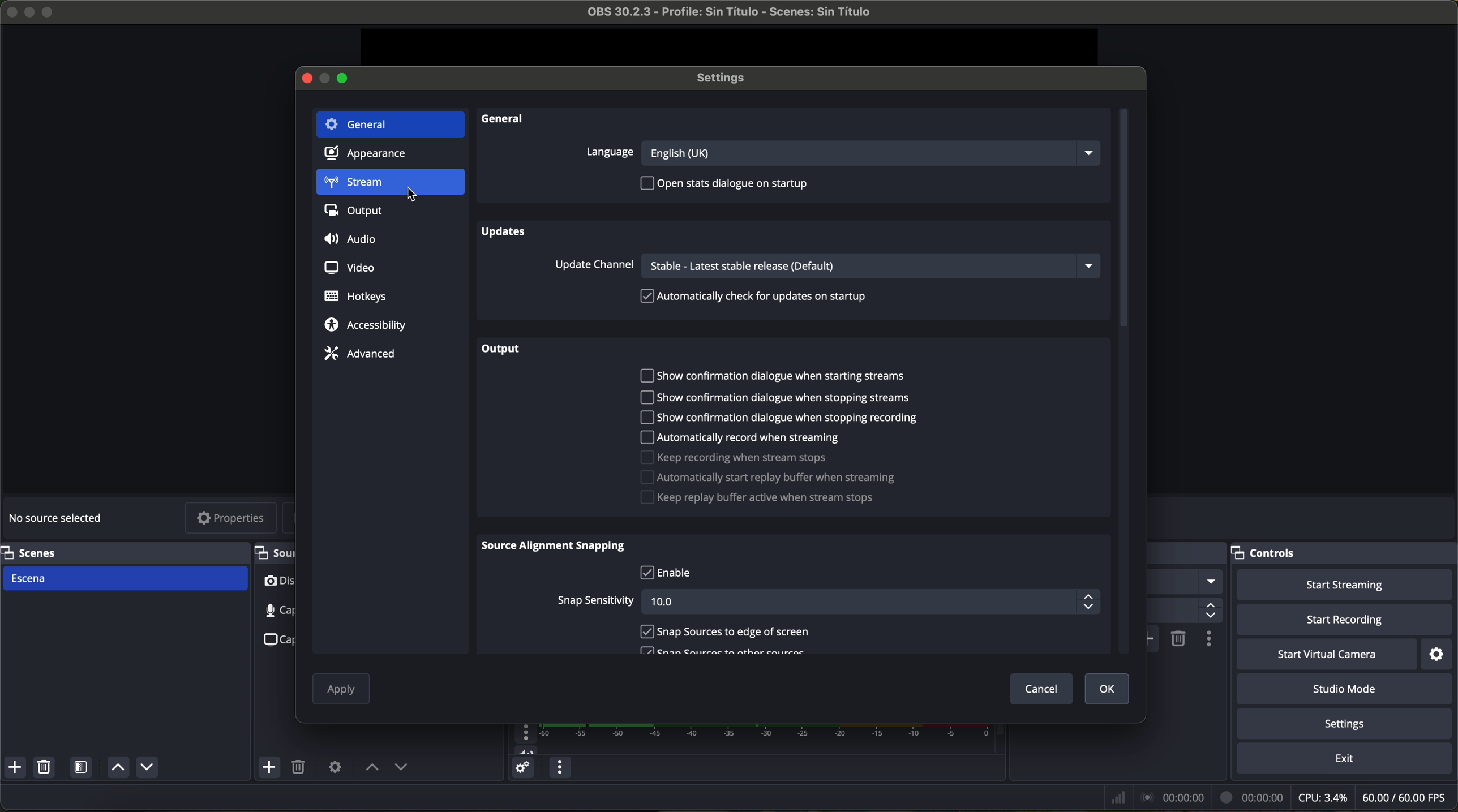 The height and width of the screenshot is (812, 1458). What do you see at coordinates (301, 768) in the screenshot?
I see `remove selected source` at bounding box center [301, 768].